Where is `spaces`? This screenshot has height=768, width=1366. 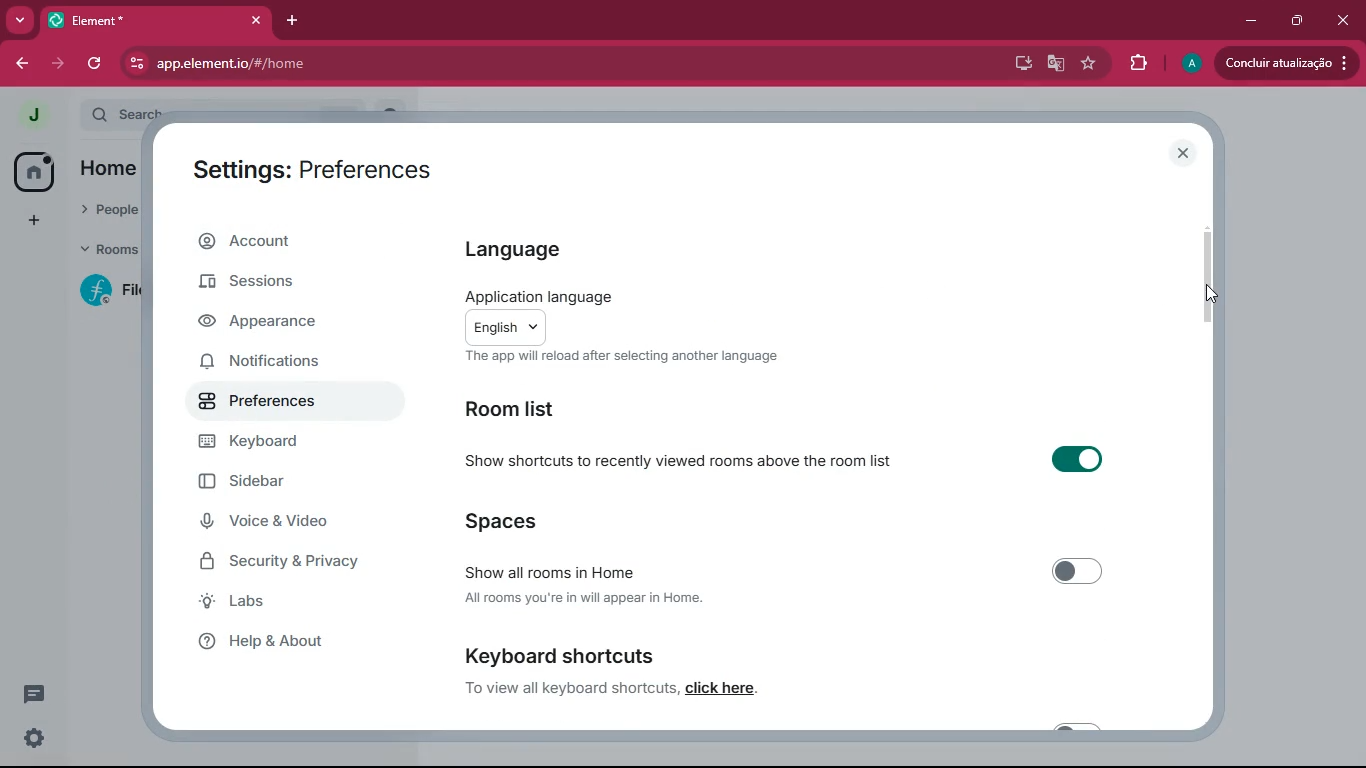 spaces is located at coordinates (554, 523).